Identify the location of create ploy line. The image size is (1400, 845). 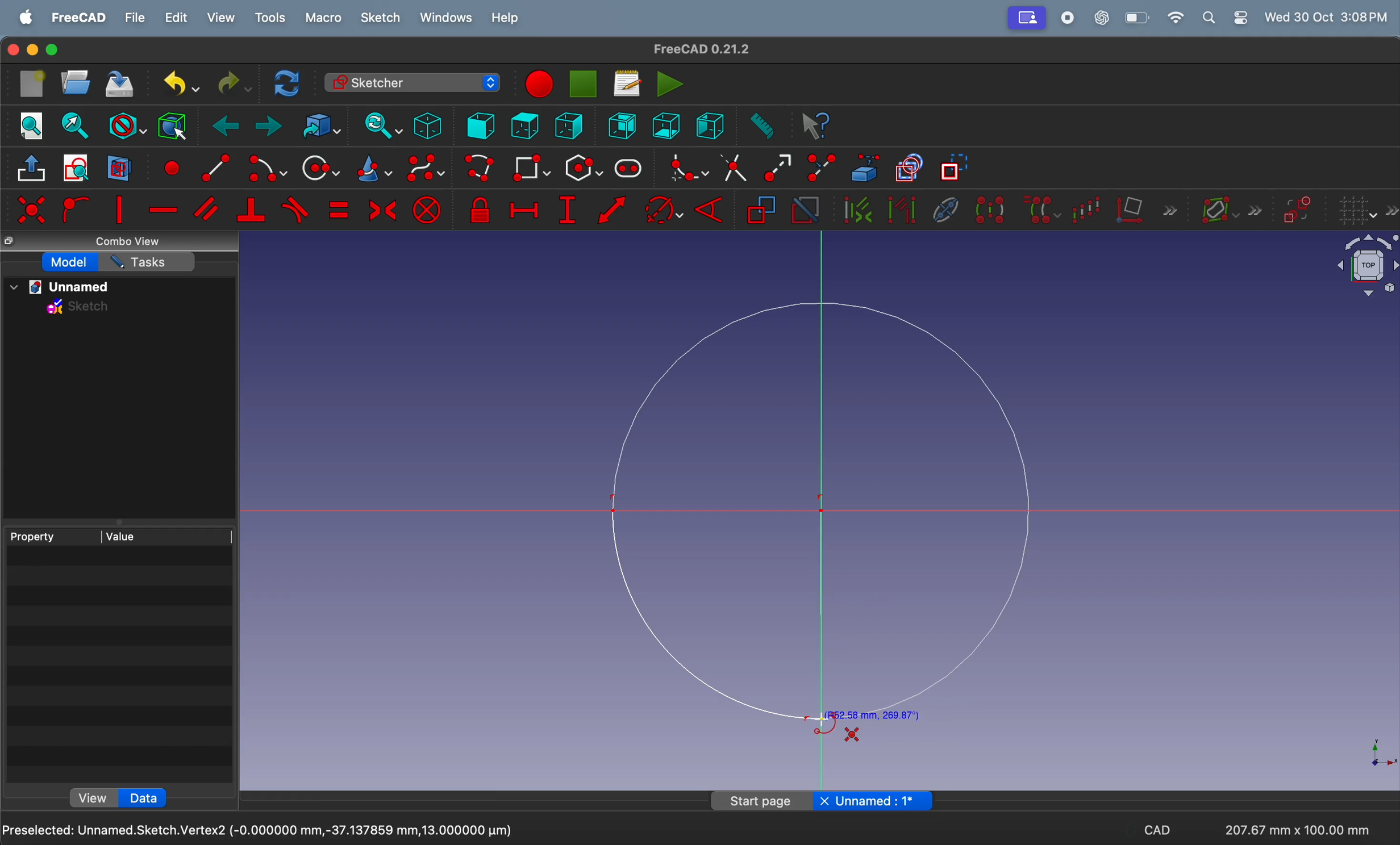
(481, 169).